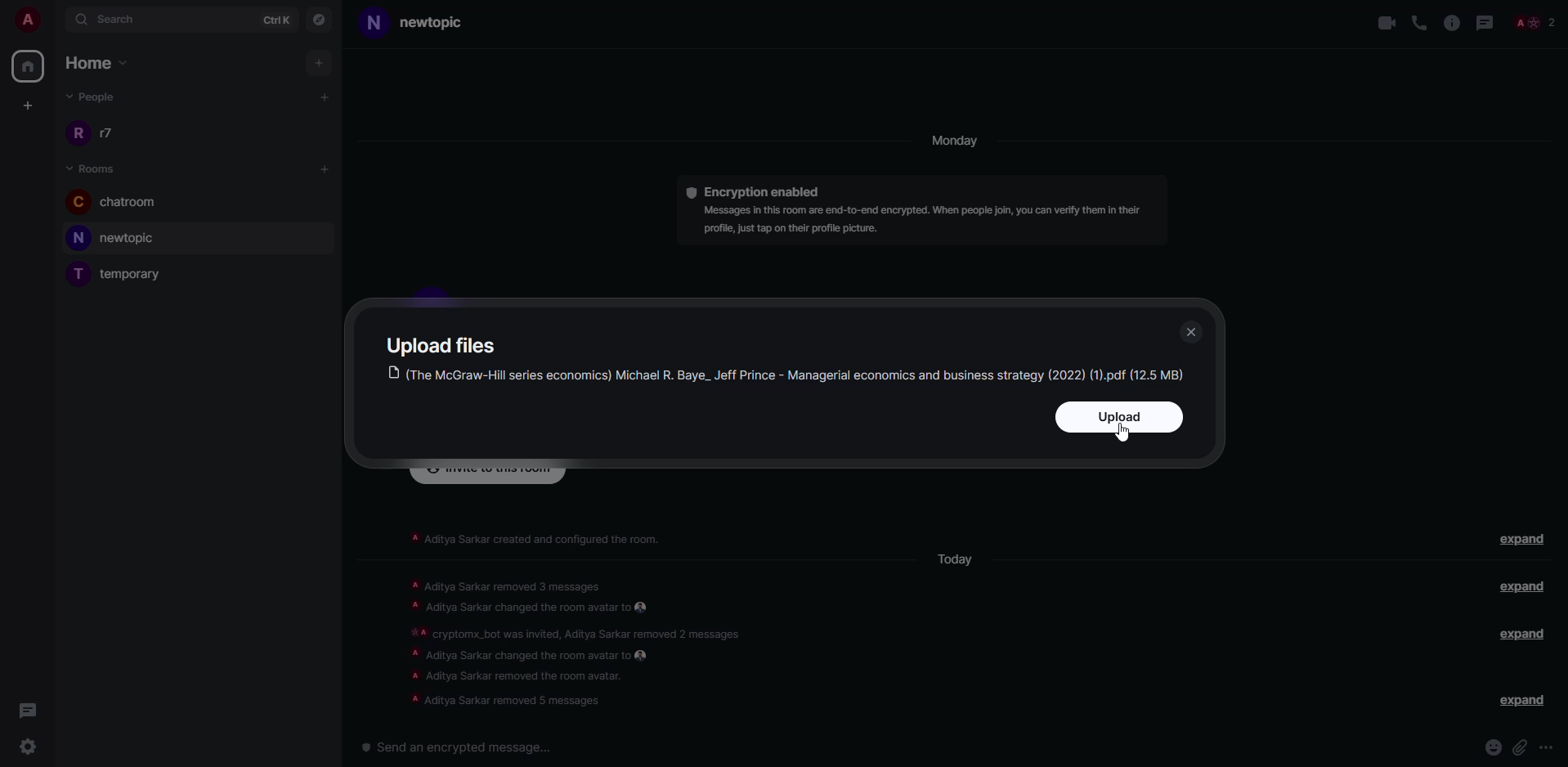 This screenshot has height=767, width=1568. Describe the element at coordinates (1519, 538) in the screenshot. I see `expand` at that location.